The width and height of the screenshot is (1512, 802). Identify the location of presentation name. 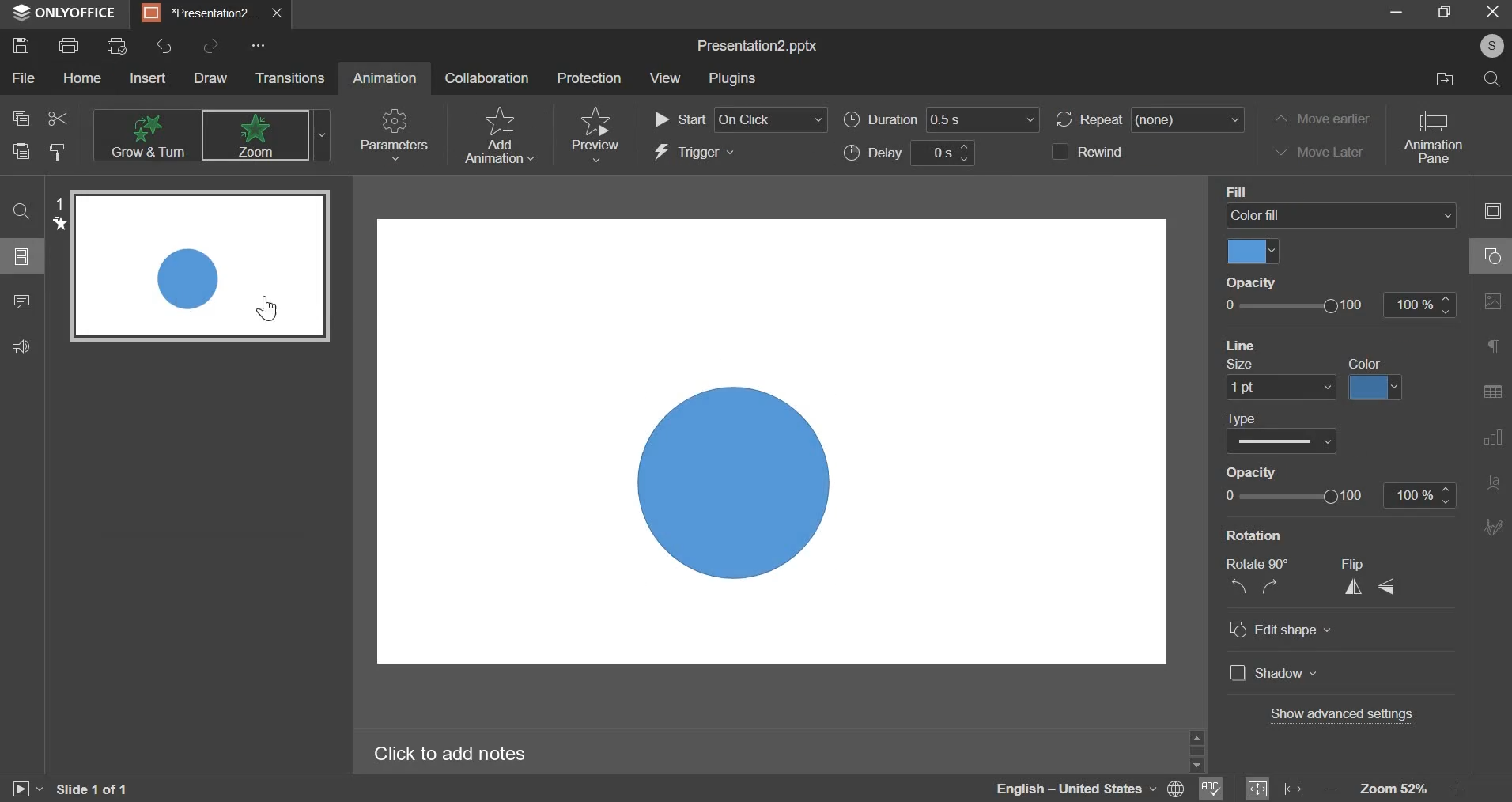
(756, 45).